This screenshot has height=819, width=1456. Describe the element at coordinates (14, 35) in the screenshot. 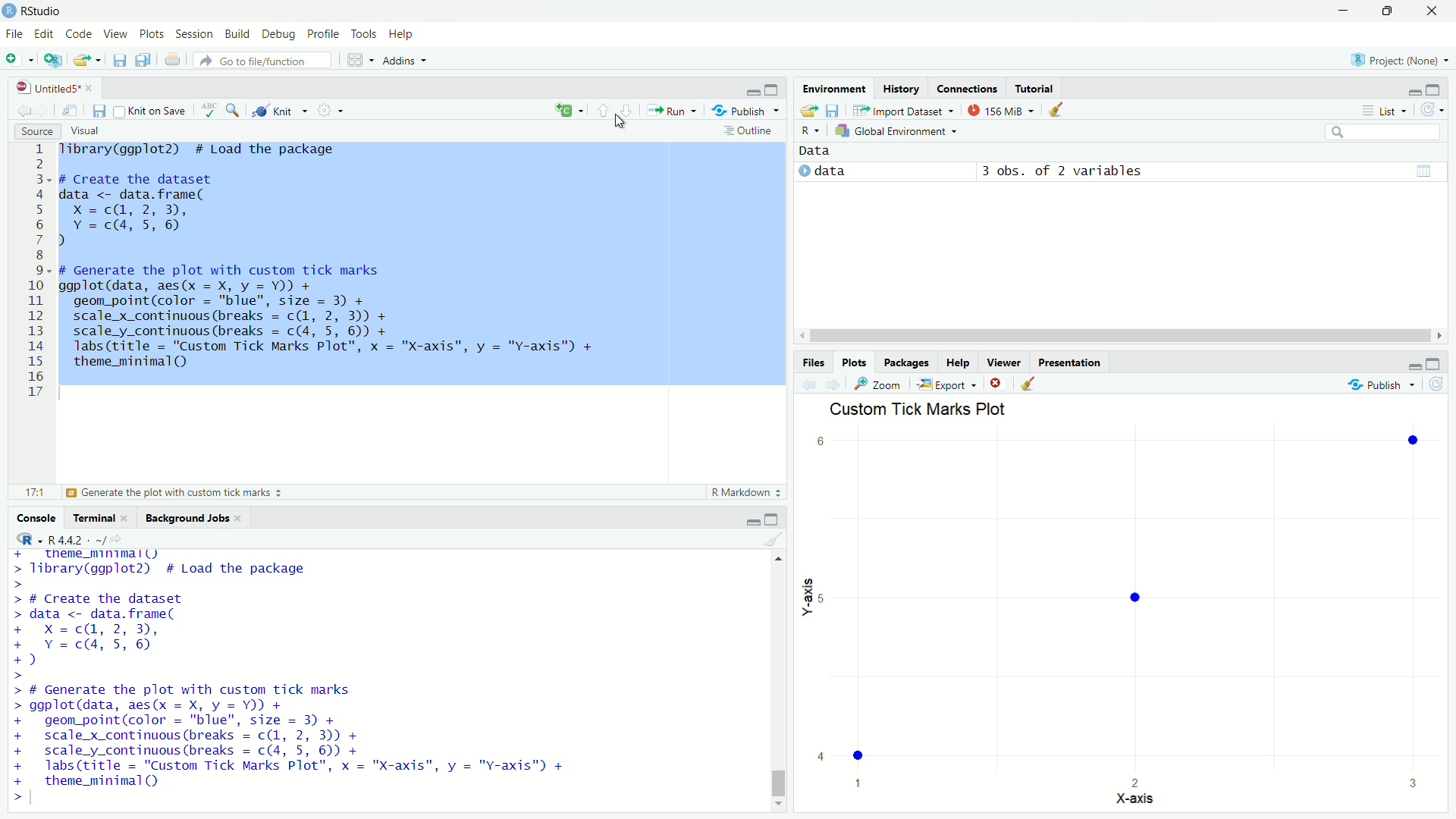

I see `file` at that location.